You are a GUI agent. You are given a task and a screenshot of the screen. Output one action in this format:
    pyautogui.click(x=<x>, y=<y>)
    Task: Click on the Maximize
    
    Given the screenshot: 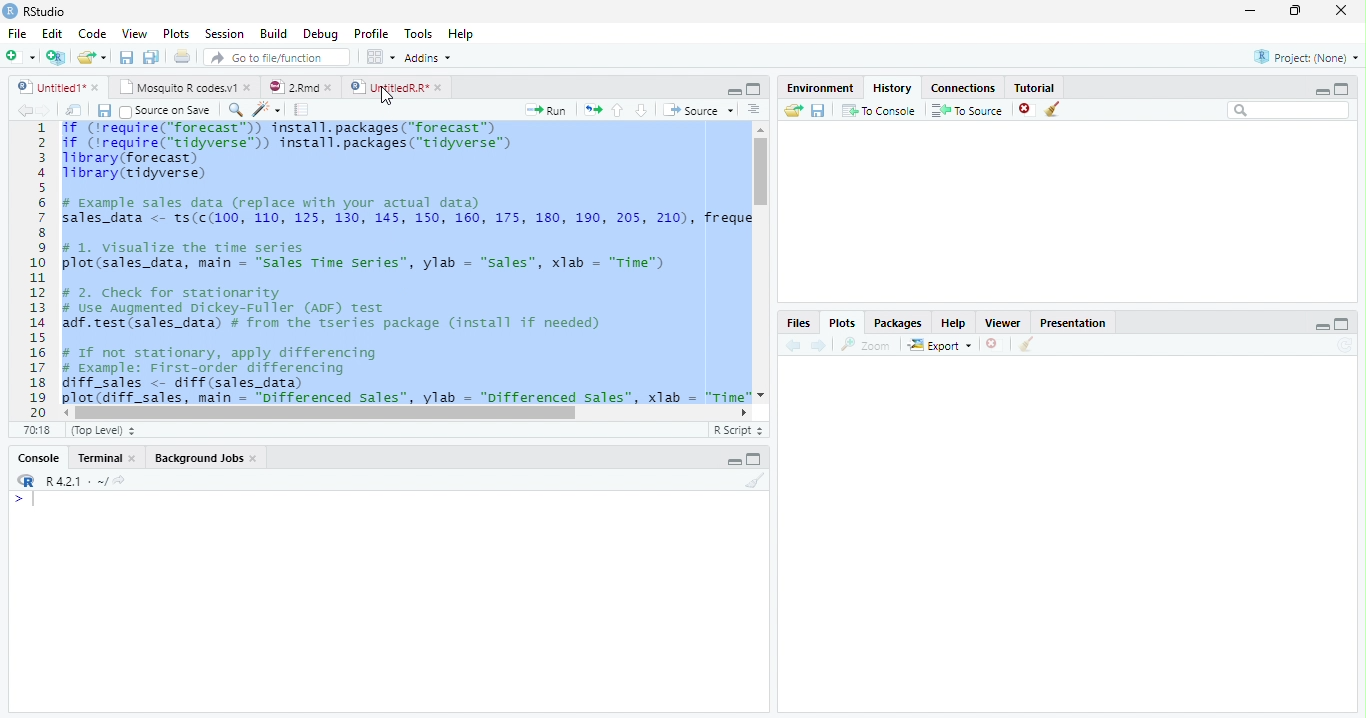 What is the action you would take?
    pyautogui.click(x=1346, y=88)
    